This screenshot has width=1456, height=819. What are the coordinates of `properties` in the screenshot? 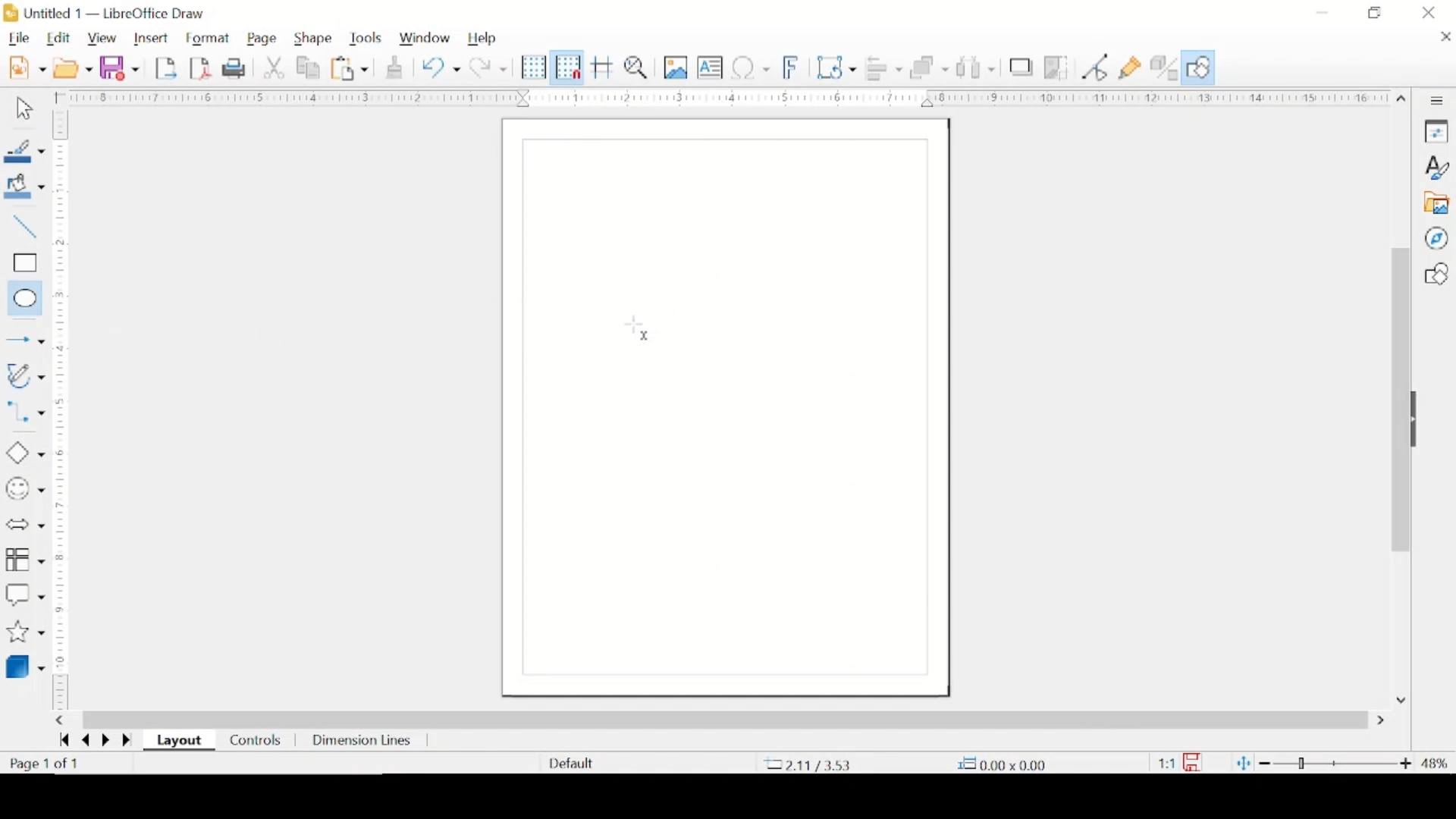 It's located at (1438, 132).